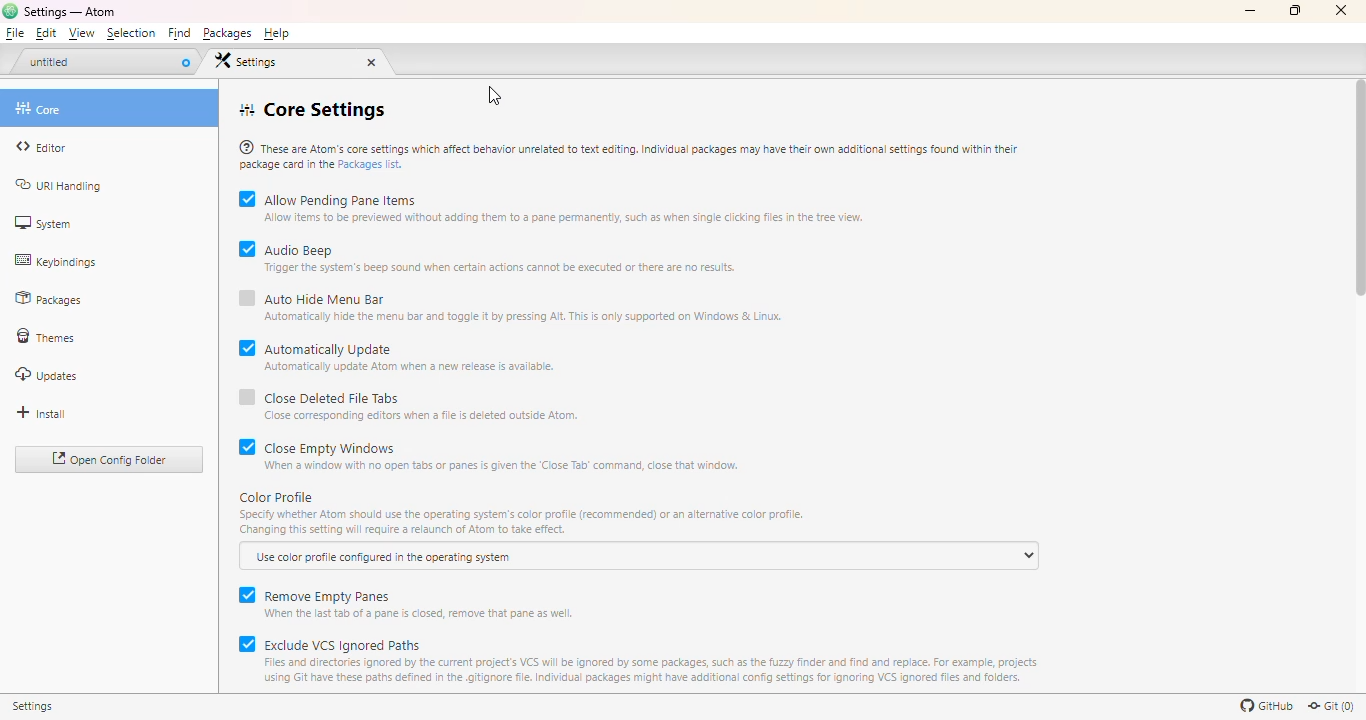 This screenshot has width=1366, height=720. I want to click on exclude VCS ignored paths, so click(653, 660).